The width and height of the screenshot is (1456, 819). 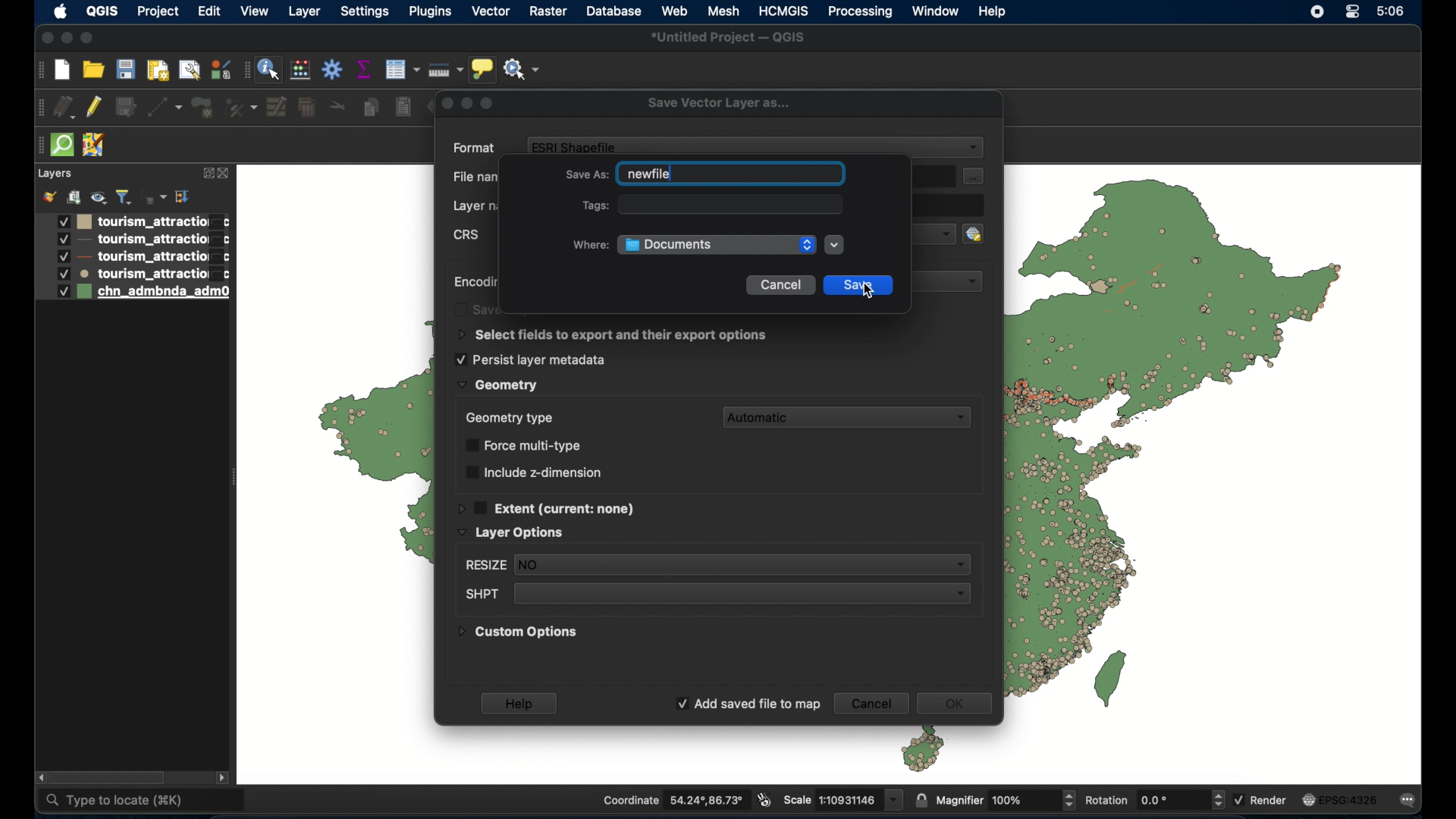 I want to click on vector, so click(x=492, y=12).